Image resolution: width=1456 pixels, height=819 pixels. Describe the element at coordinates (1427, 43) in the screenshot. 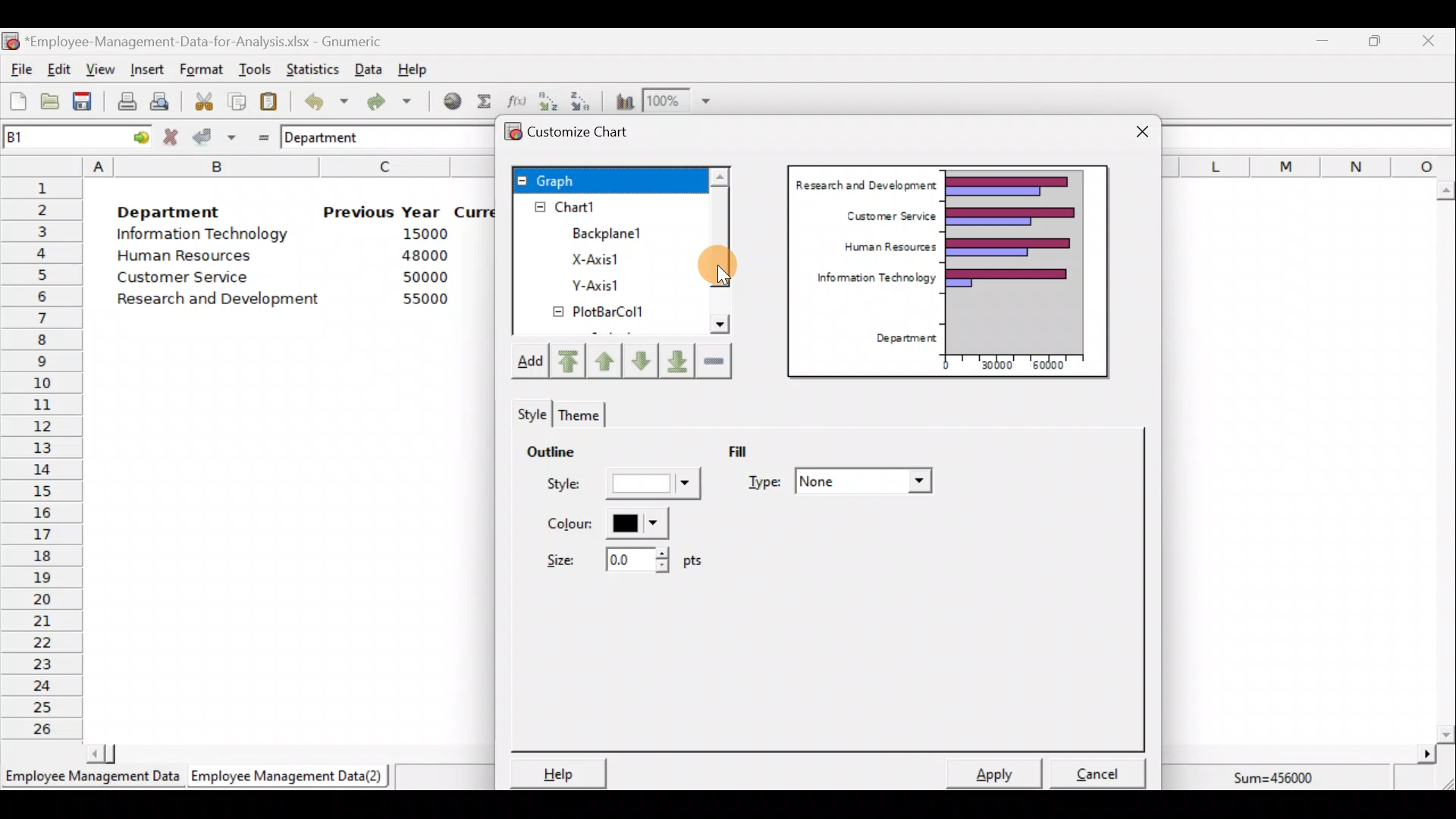

I see `Close` at that location.